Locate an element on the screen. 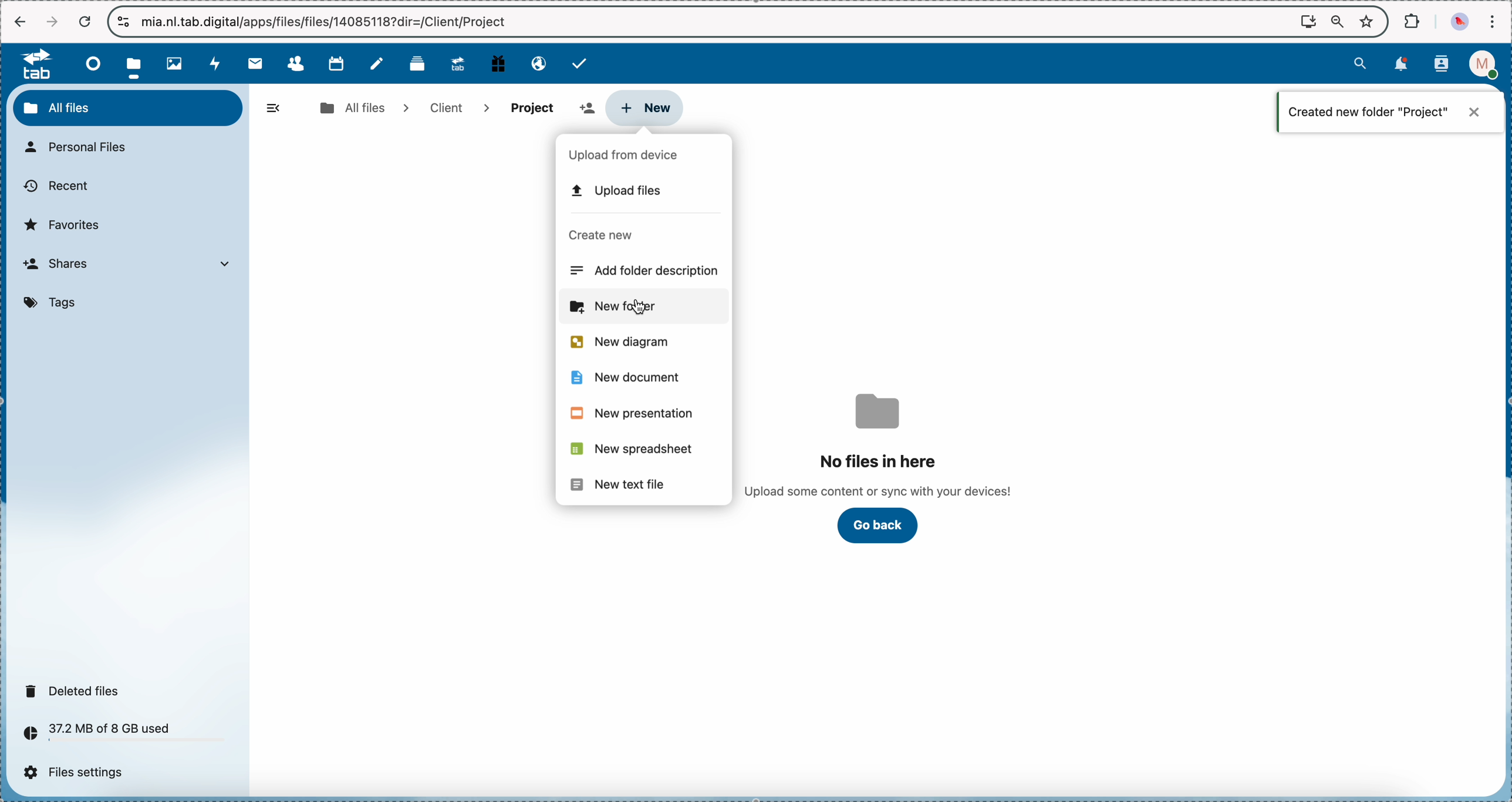 Image resolution: width=1512 pixels, height=802 pixels. notes is located at coordinates (379, 64).